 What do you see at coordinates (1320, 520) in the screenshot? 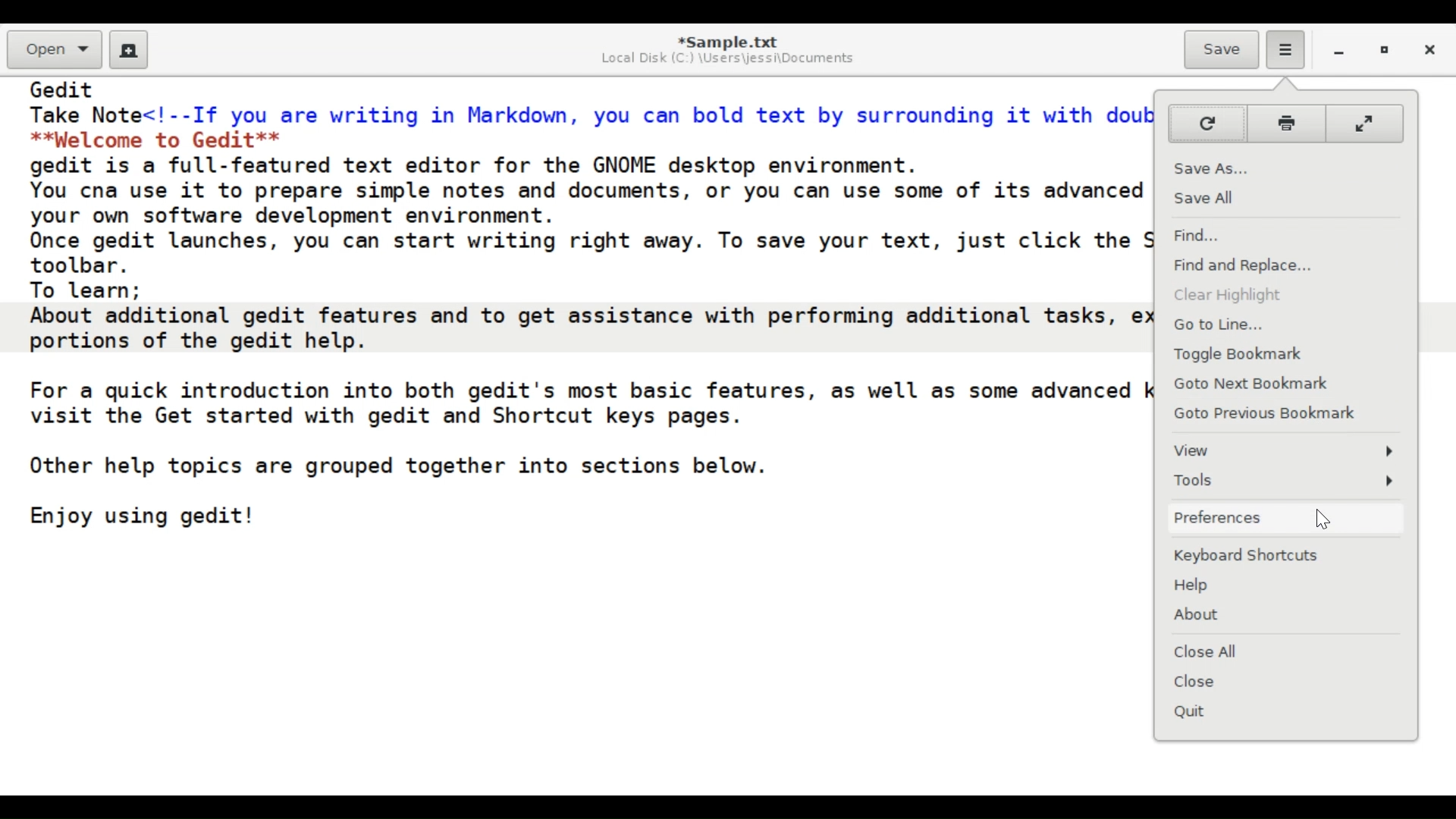
I see `Cursor` at bounding box center [1320, 520].